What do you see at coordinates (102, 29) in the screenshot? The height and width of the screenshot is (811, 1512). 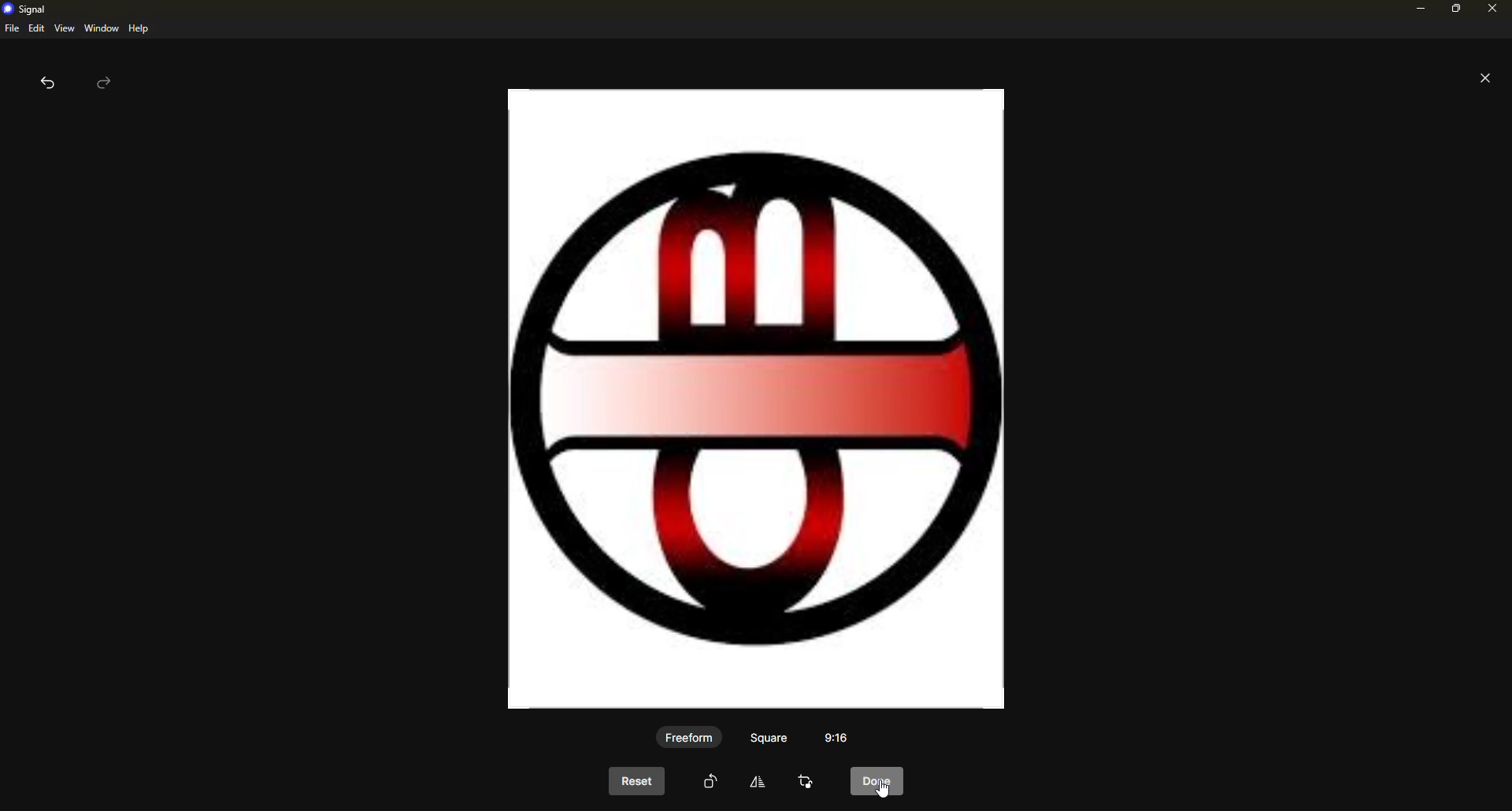 I see `window` at bounding box center [102, 29].